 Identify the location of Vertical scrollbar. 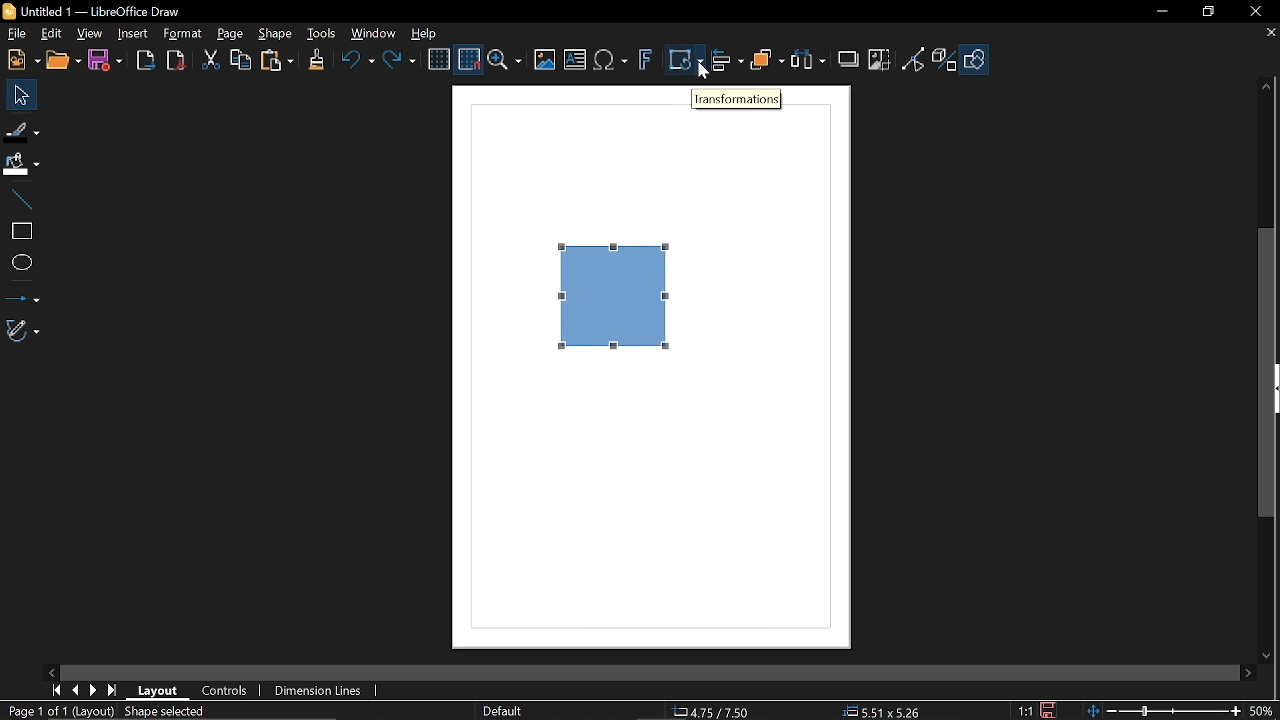
(1270, 375).